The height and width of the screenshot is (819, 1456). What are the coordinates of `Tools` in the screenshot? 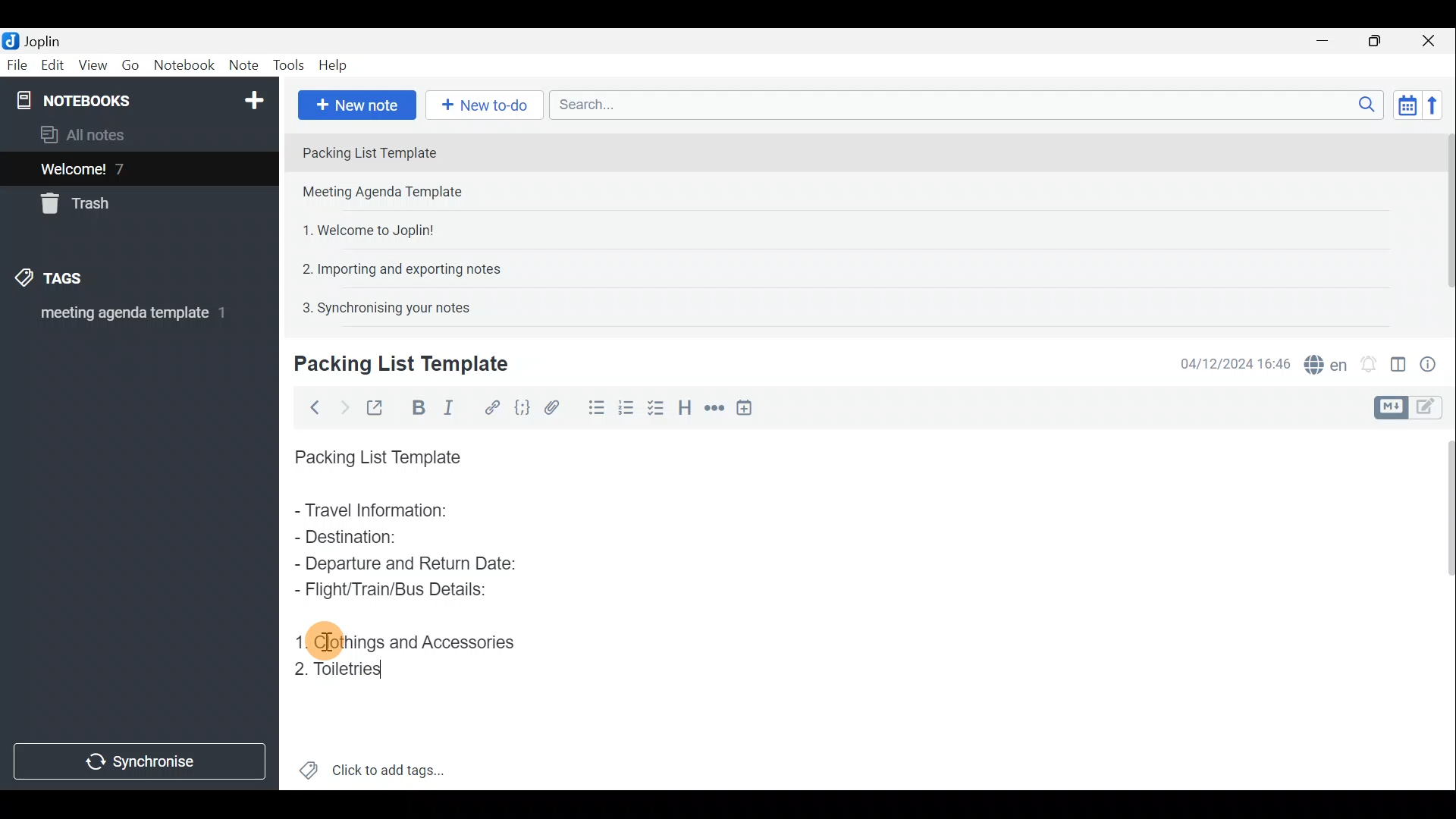 It's located at (290, 66).